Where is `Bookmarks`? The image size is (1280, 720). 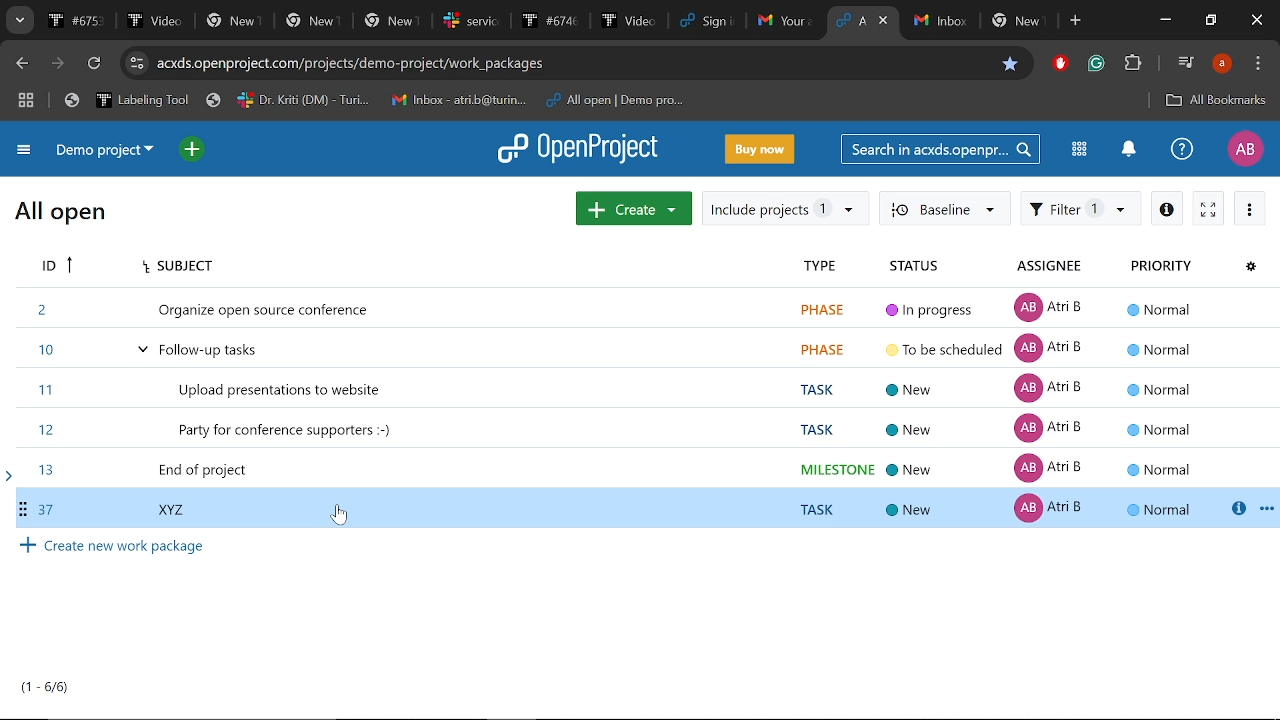
Bookmarks is located at coordinates (374, 101).